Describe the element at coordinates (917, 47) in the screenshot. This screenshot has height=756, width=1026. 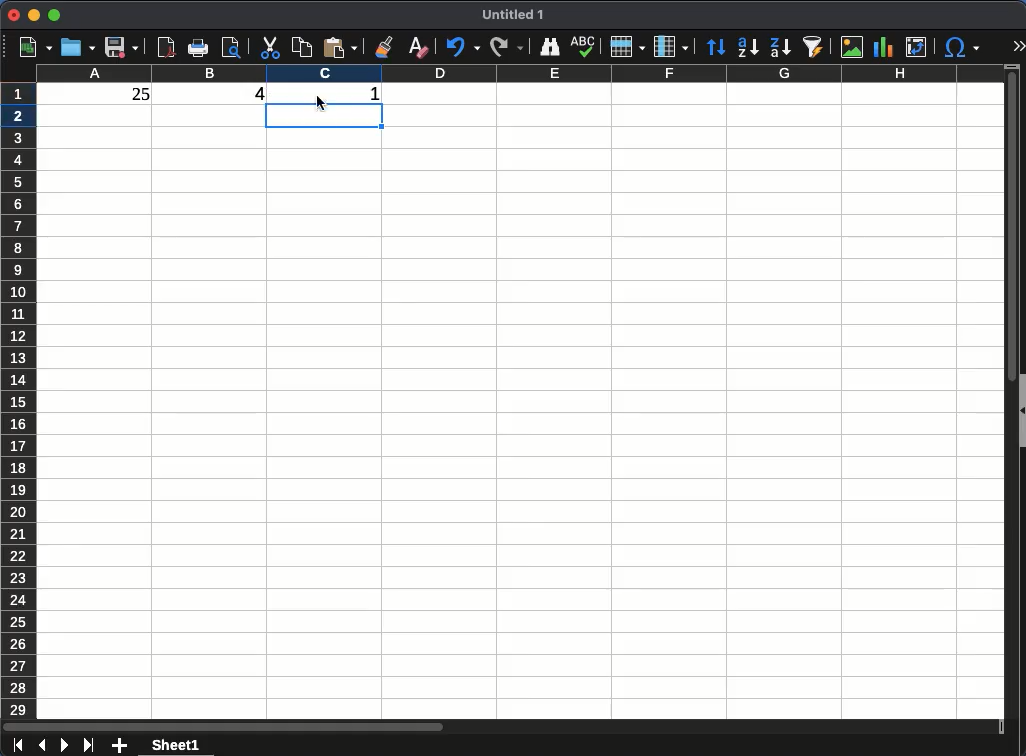
I see `pivot table` at that location.